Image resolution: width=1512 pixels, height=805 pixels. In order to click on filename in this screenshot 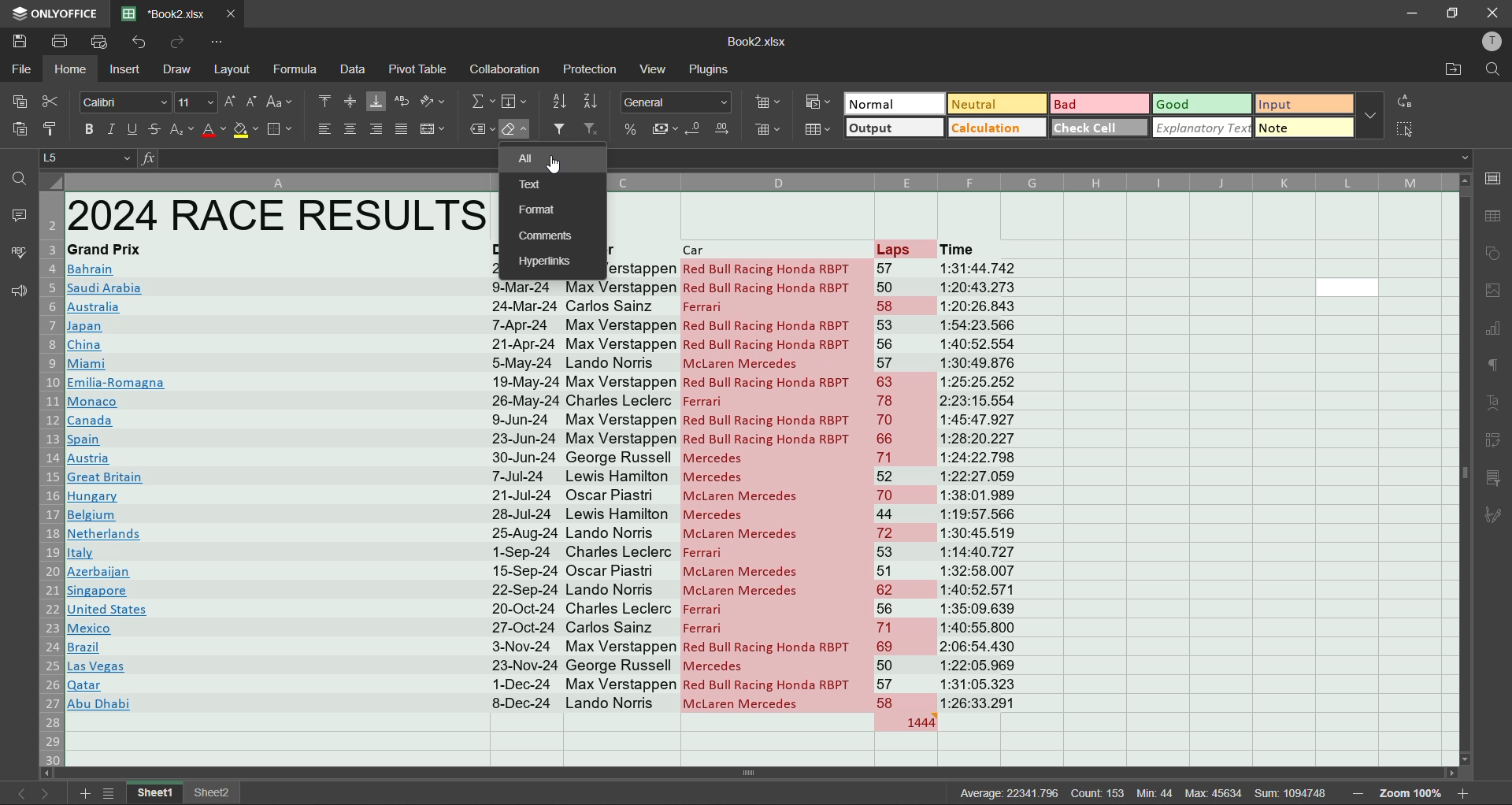, I will do `click(169, 13)`.